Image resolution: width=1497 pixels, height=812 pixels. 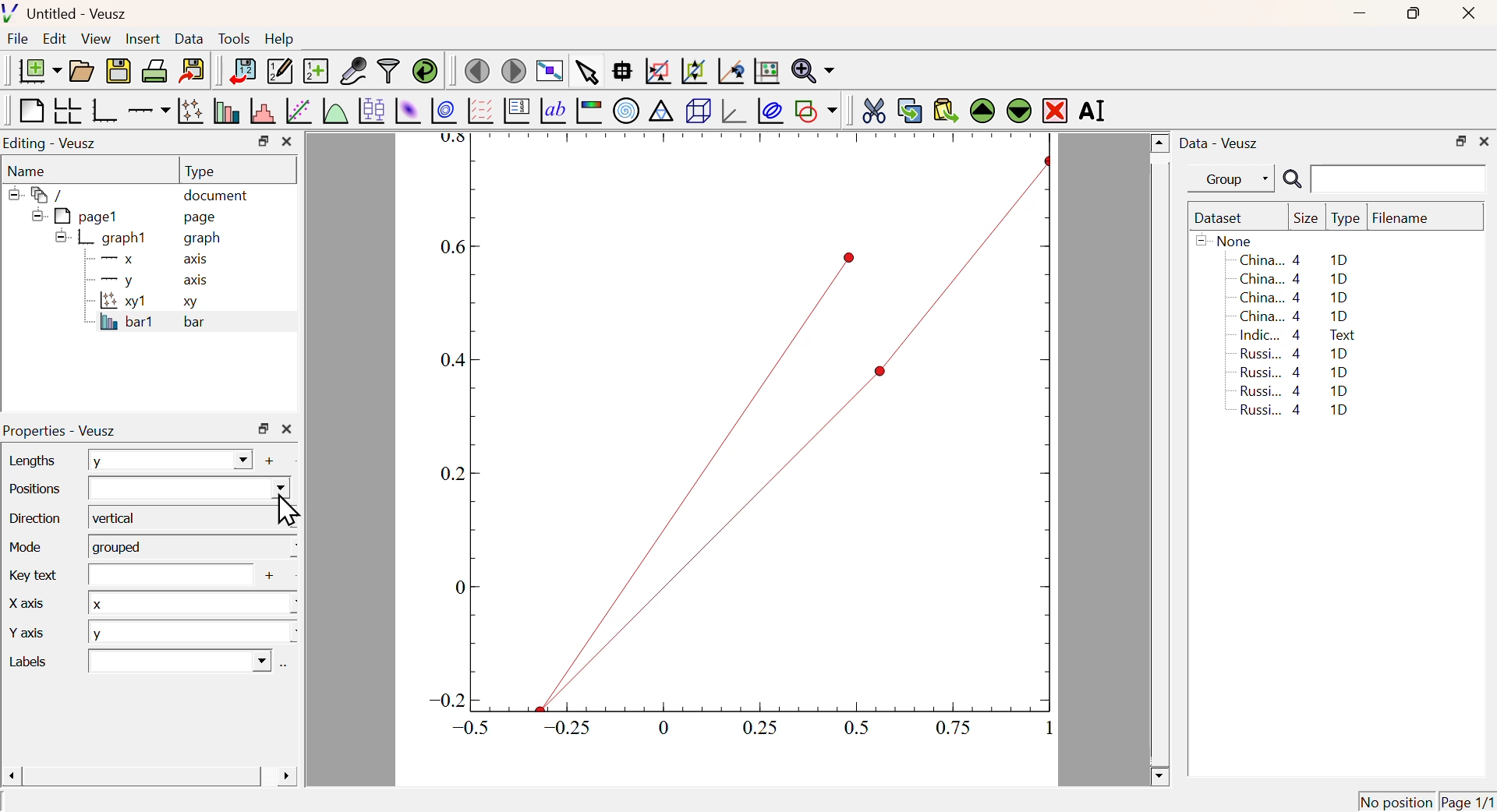 What do you see at coordinates (946, 110) in the screenshot?
I see `Paste from Clipboard` at bounding box center [946, 110].